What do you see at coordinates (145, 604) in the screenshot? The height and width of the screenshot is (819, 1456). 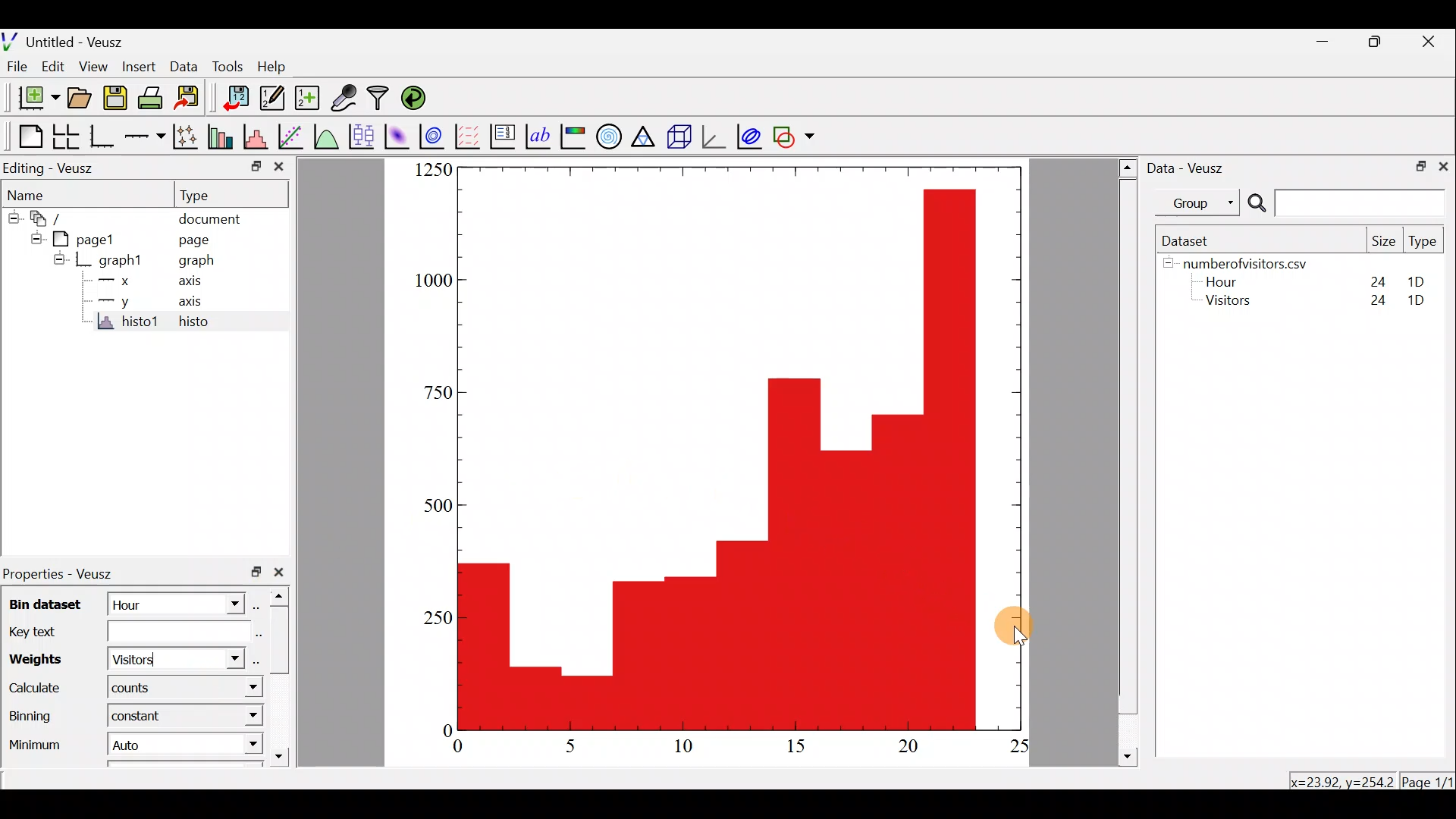 I see `Hour` at bounding box center [145, 604].